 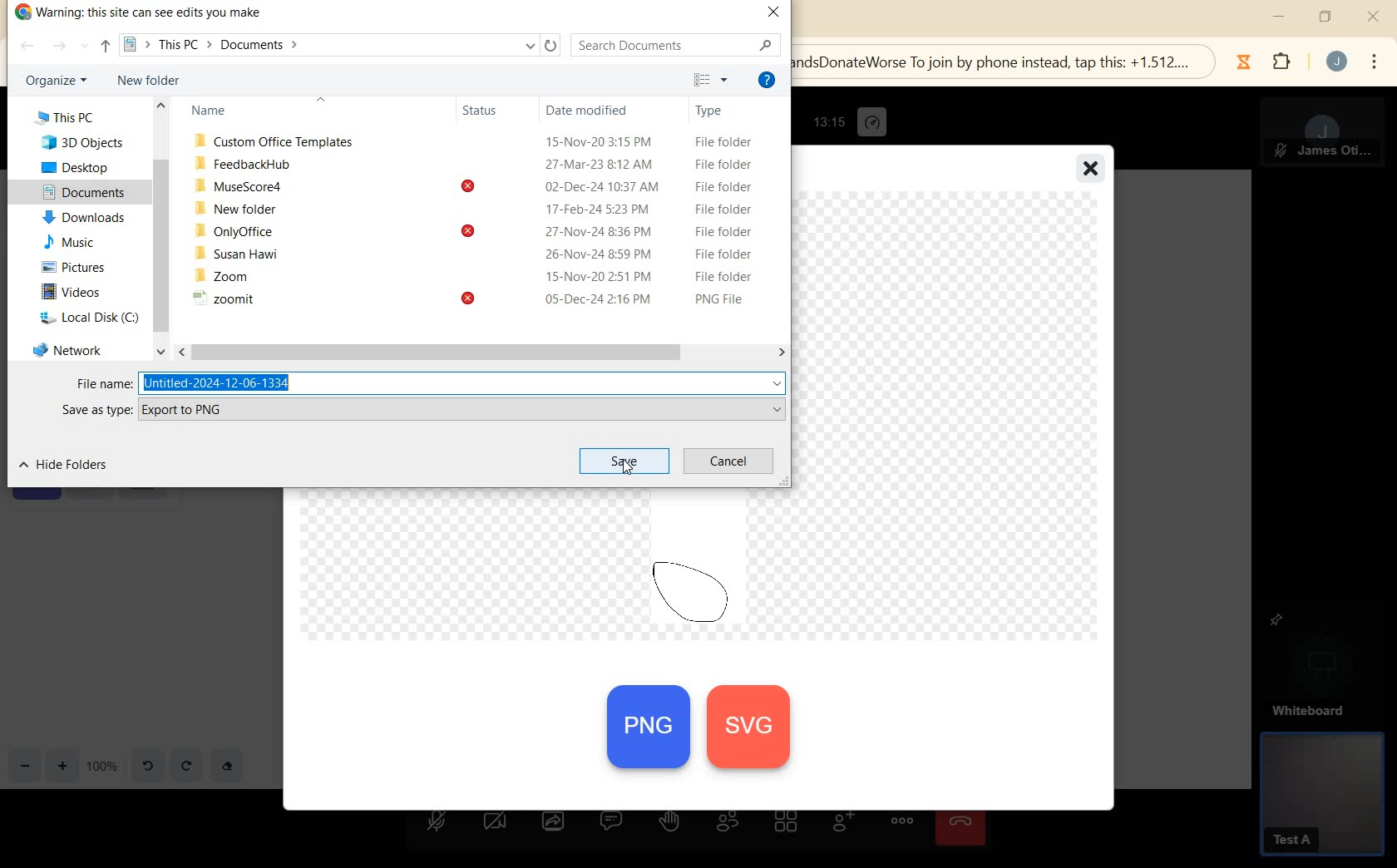 I want to click on CLOSE, so click(x=778, y=11).